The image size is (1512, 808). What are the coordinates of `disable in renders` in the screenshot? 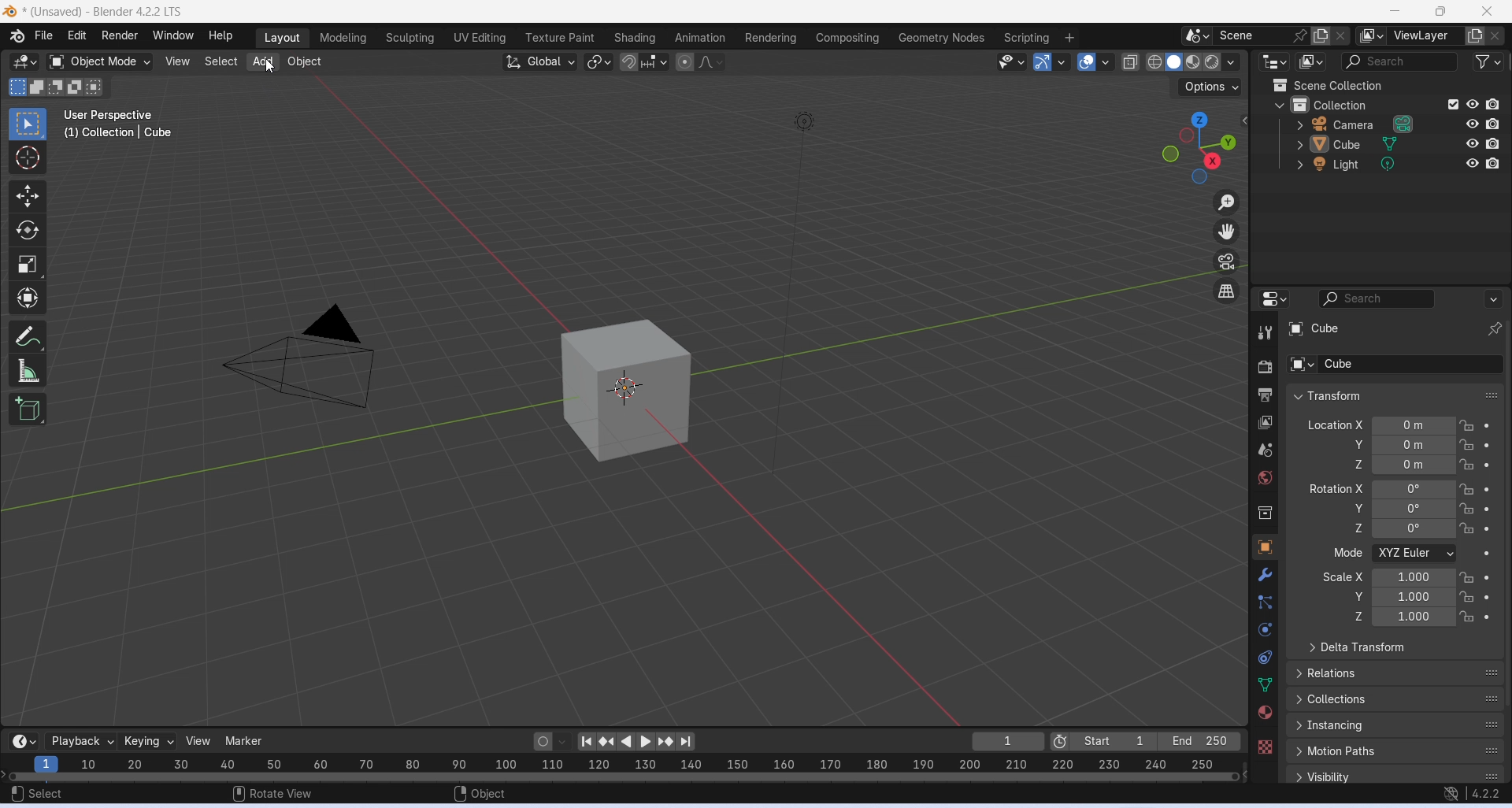 It's located at (1493, 105).